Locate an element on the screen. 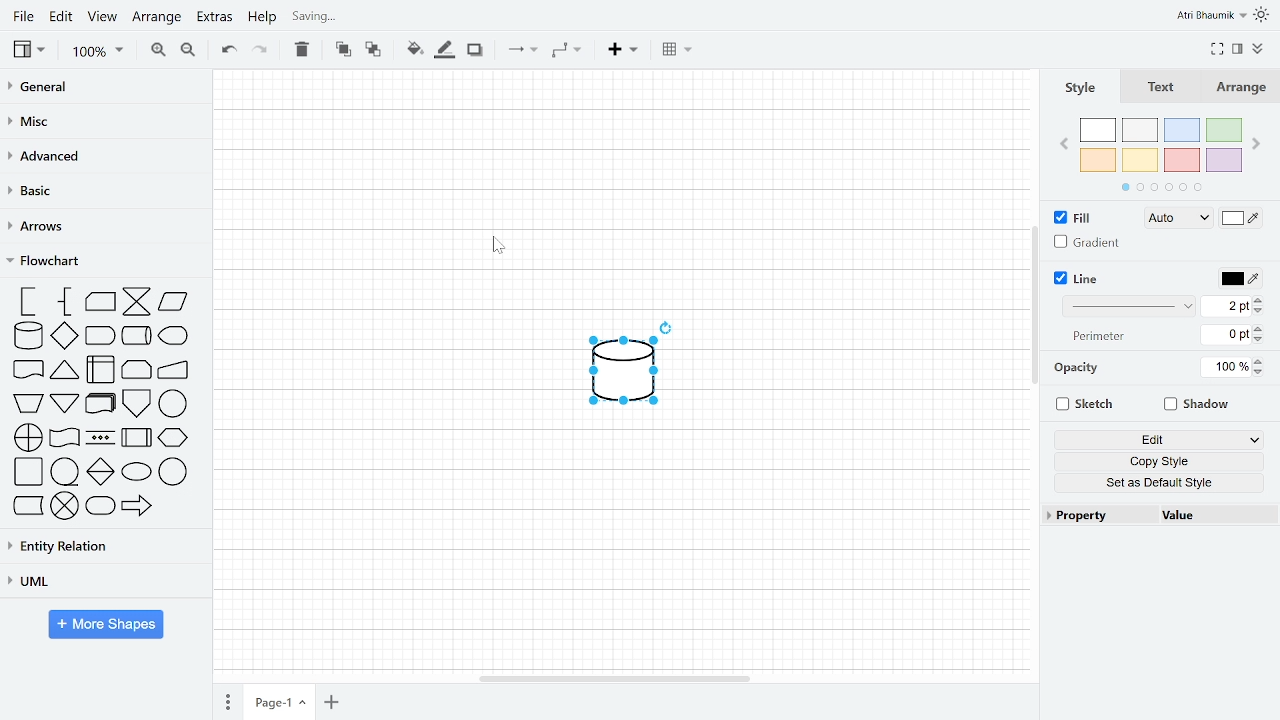 Image resolution: width=1280 pixels, height=720 pixels. extract or measurement is located at coordinates (65, 371).